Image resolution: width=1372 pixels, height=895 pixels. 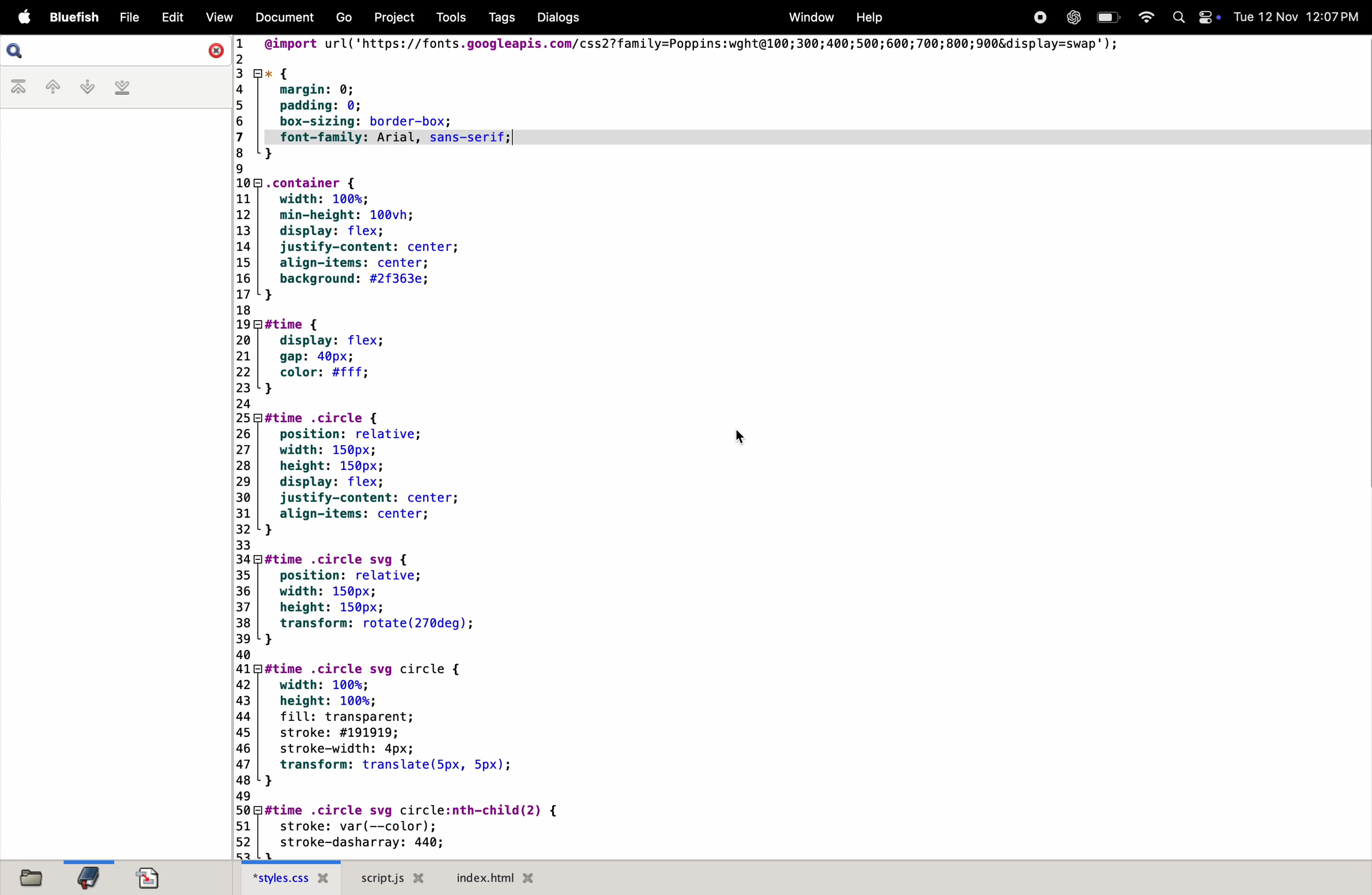 I want to click on previous bookmark, so click(x=46, y=87).